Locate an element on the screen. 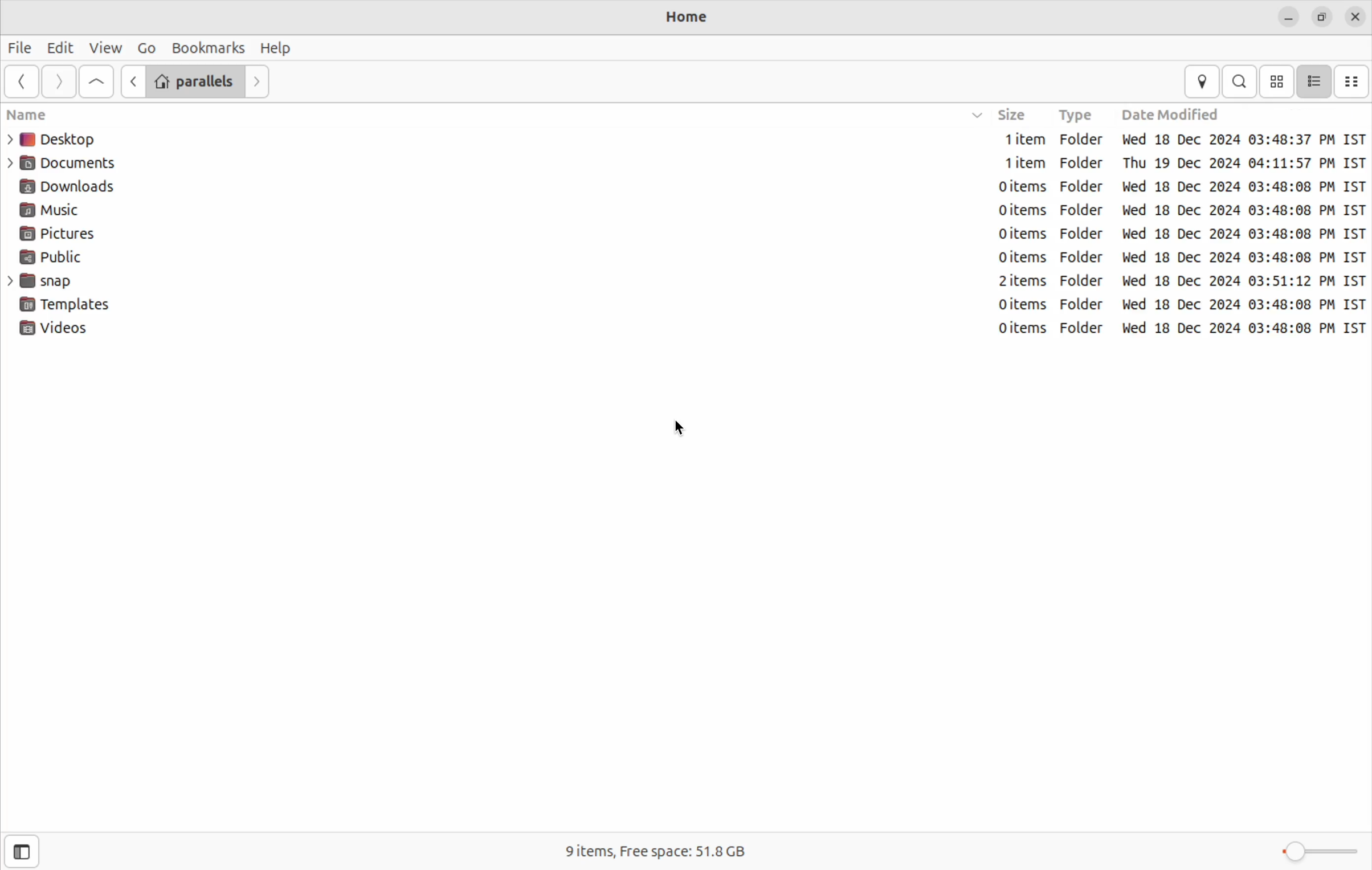  0 items is located at coordinates (1020, 259).